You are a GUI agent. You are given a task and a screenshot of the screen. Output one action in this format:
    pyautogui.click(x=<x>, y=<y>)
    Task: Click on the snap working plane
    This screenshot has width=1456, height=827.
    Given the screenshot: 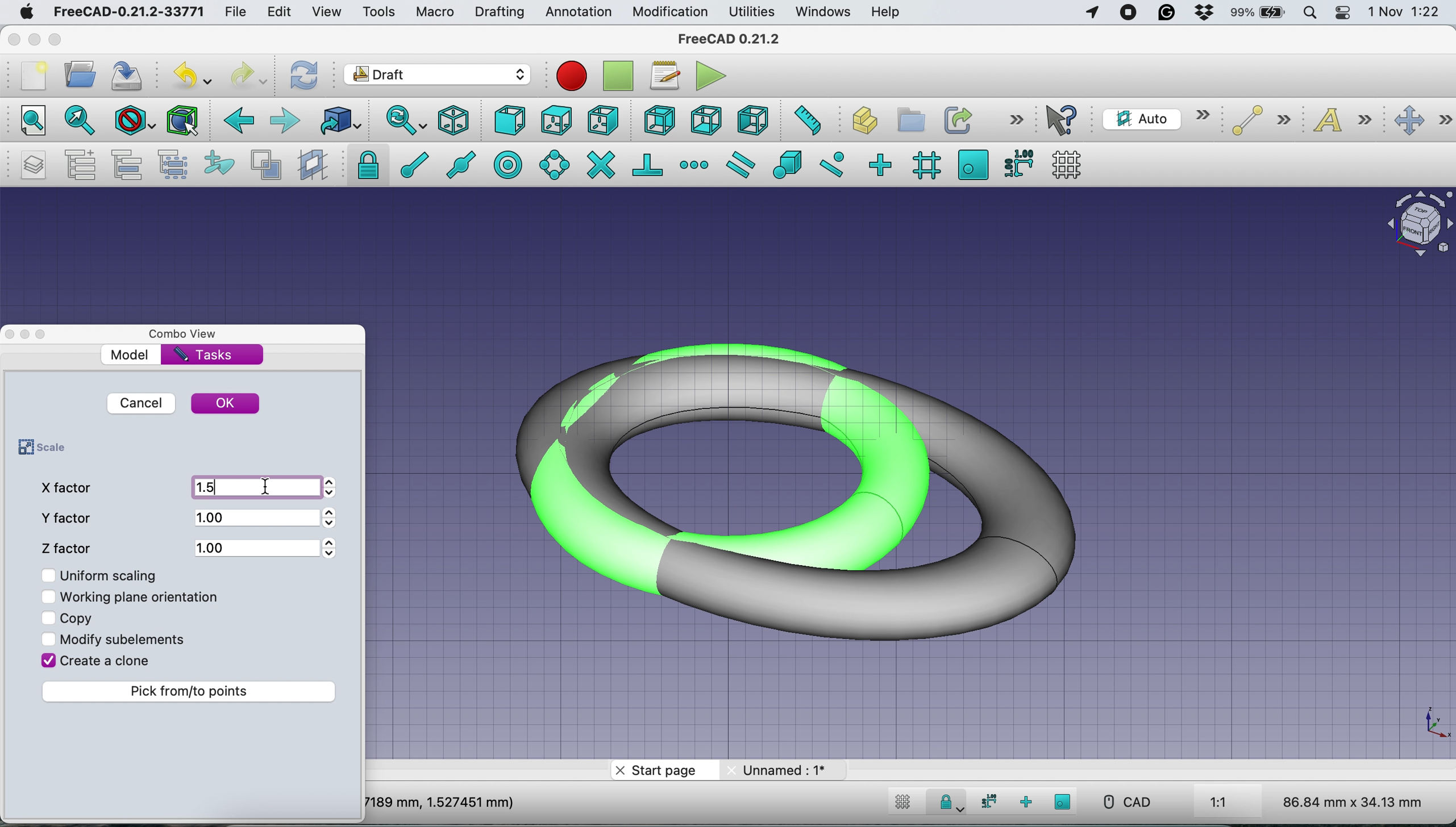 What is the action you would take?
    pyautogui.click(x=1063, y=801)
    